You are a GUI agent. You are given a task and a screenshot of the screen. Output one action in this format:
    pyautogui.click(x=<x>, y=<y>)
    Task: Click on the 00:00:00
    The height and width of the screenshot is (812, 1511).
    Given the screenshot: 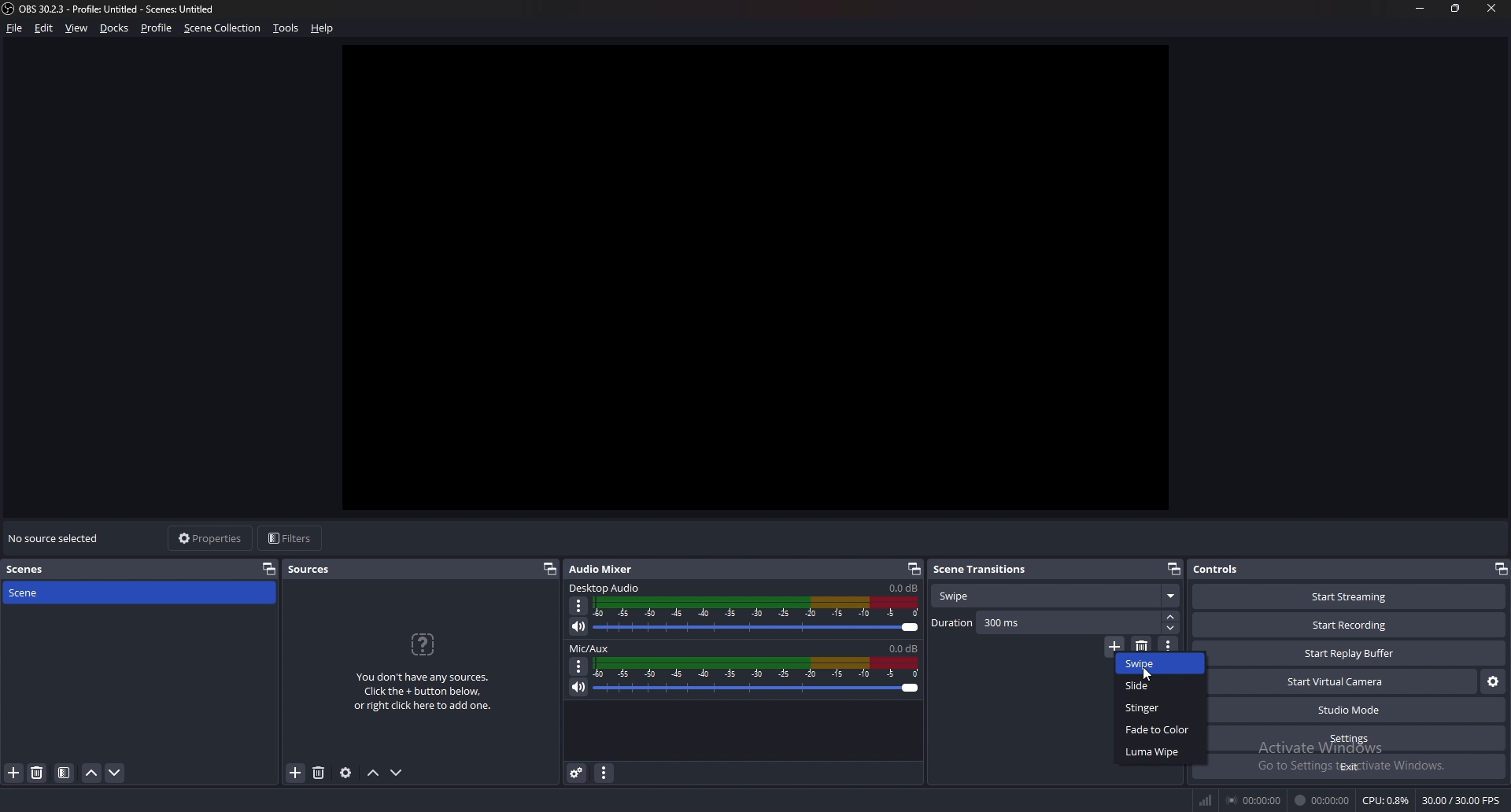 What is the action you would take?
    pyautogui.click(x=1254, y=801)
    